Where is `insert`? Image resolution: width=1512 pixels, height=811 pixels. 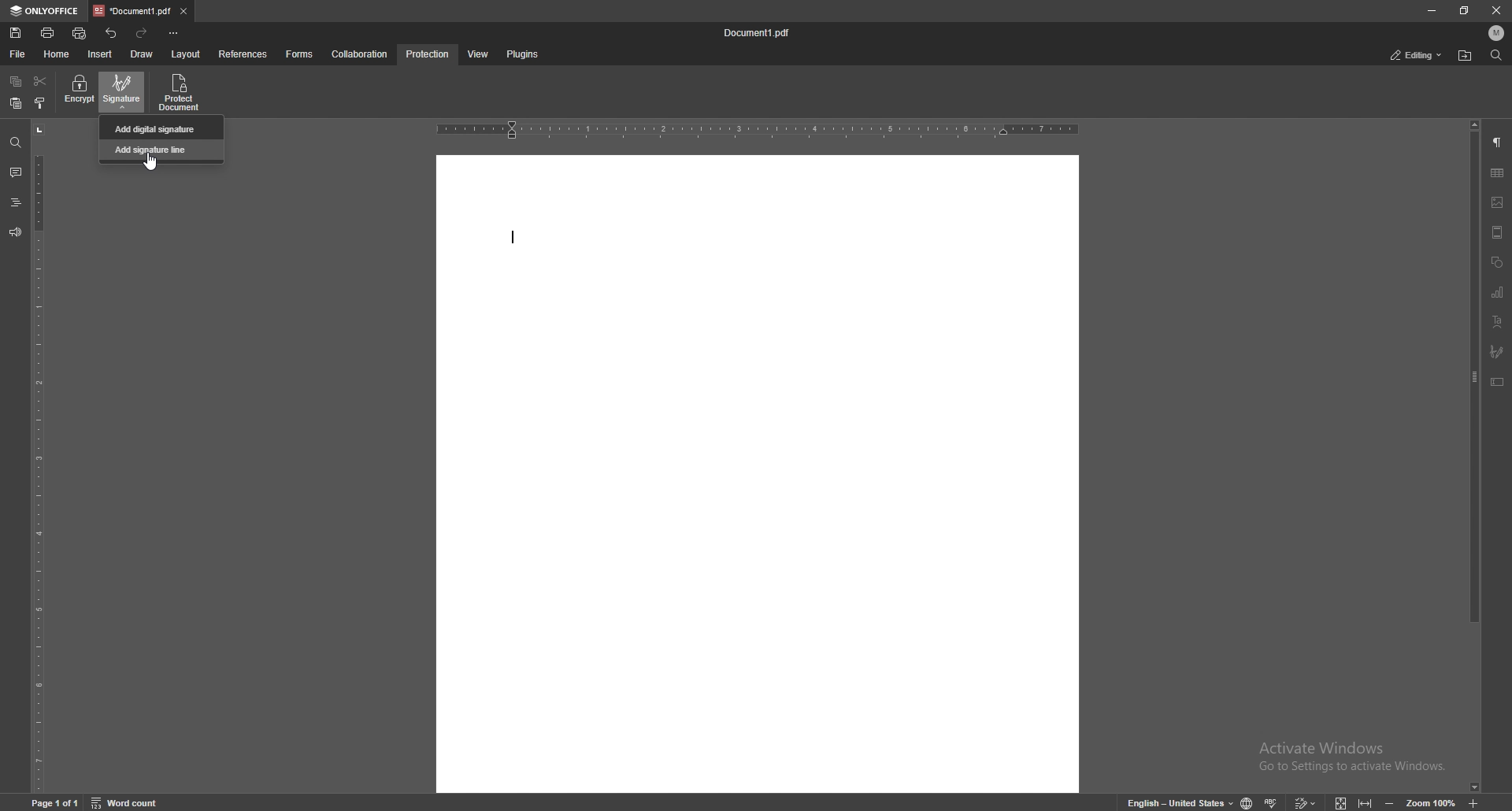
insert is located at coordinates (102, 54).